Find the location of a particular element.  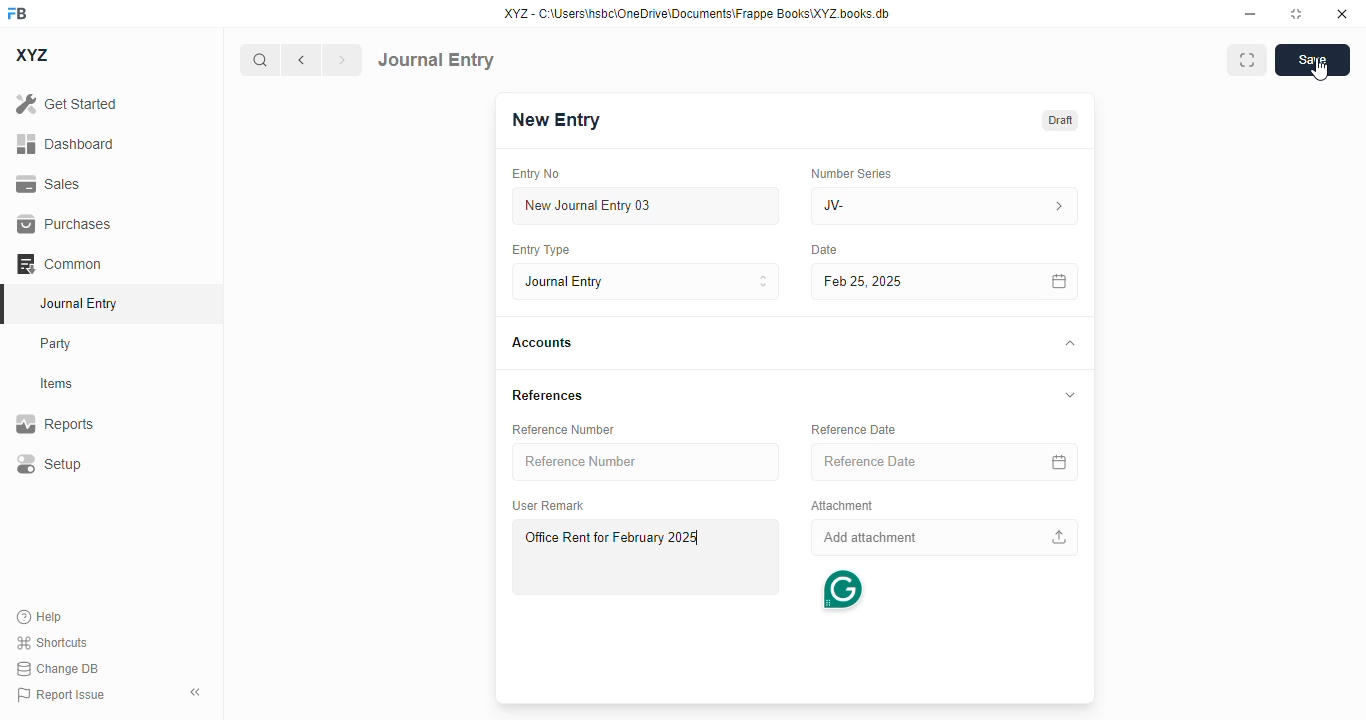

dashboard is located at coordinates (66, 144).